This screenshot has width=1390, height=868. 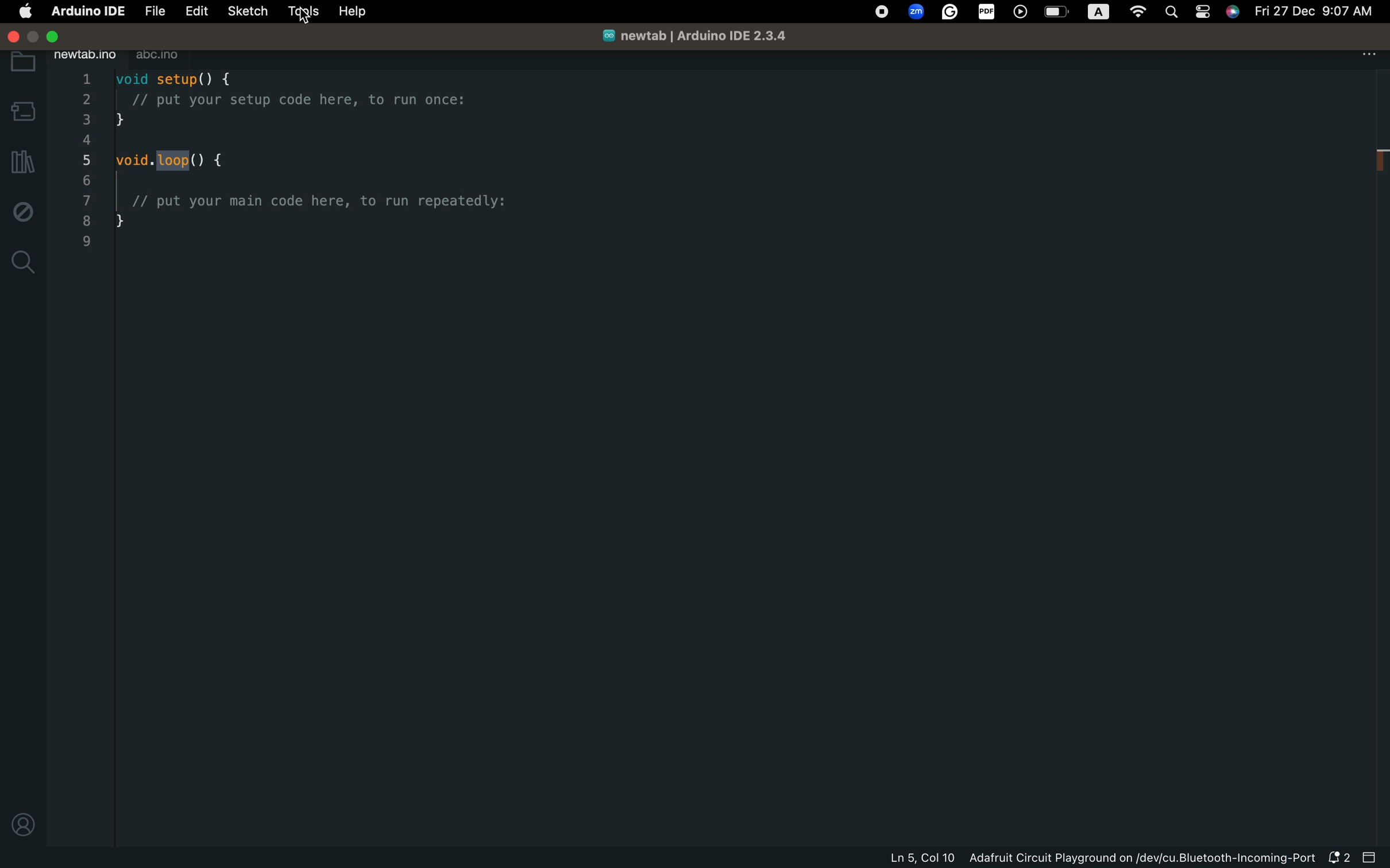 What do you see at coordinates (86, 220) in the screenshot?
I see `8` at bounding box center [86, 220].